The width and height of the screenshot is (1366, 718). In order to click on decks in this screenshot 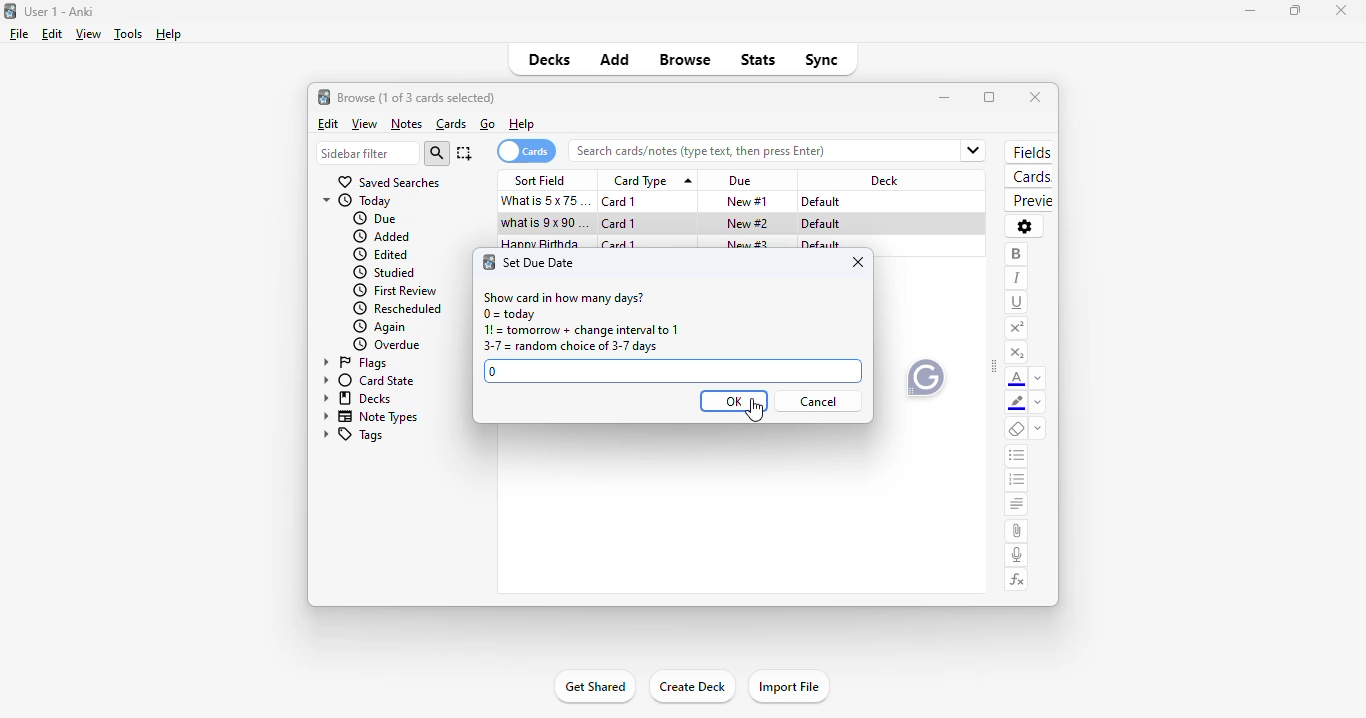, I will do `click(550, 59)`.